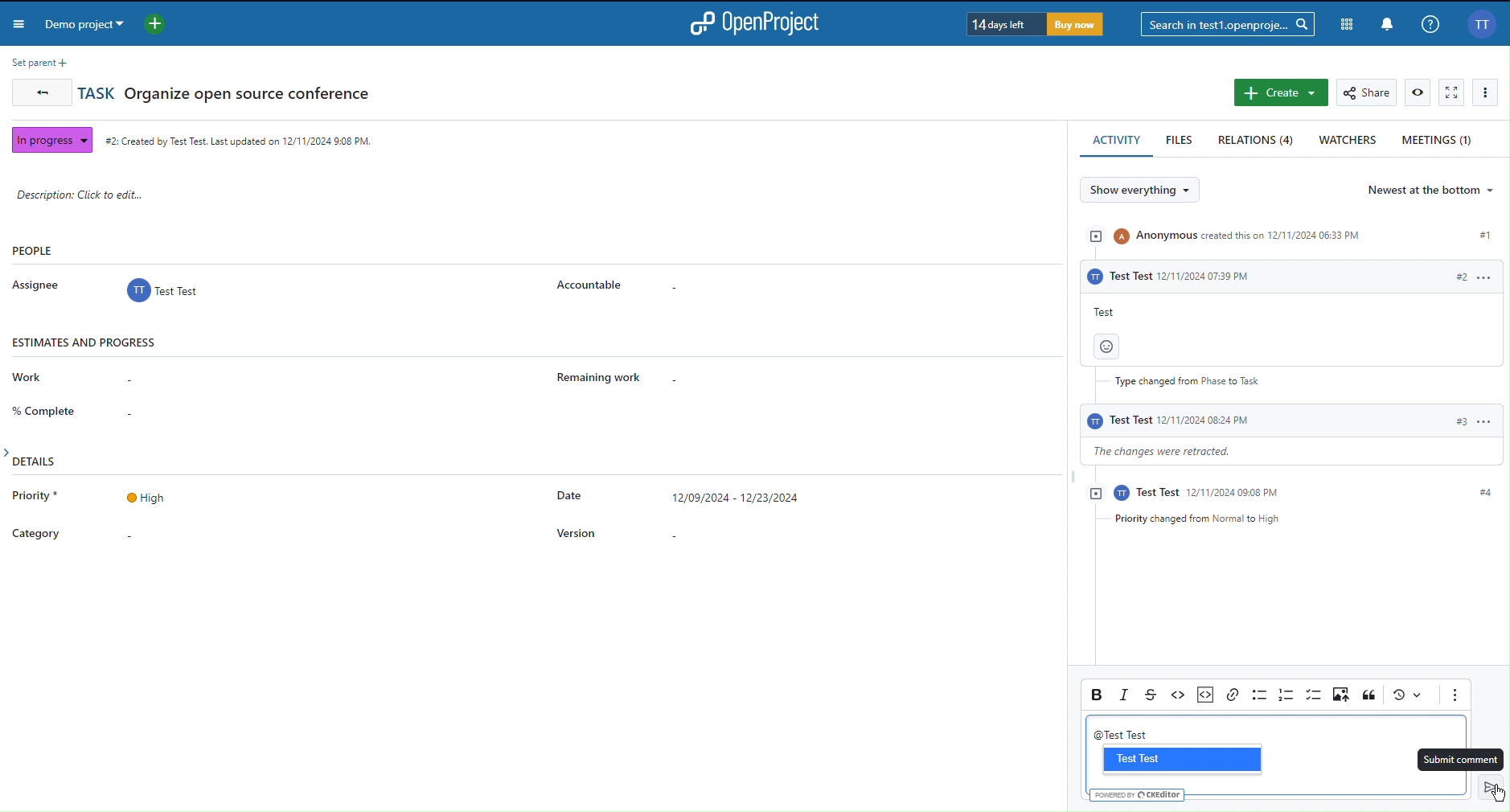 Image resolution: width=1510 pixels, height=812 pixels. Describe the element at coordinates (39, 95) in the screenshot. I see `Back` at that location.